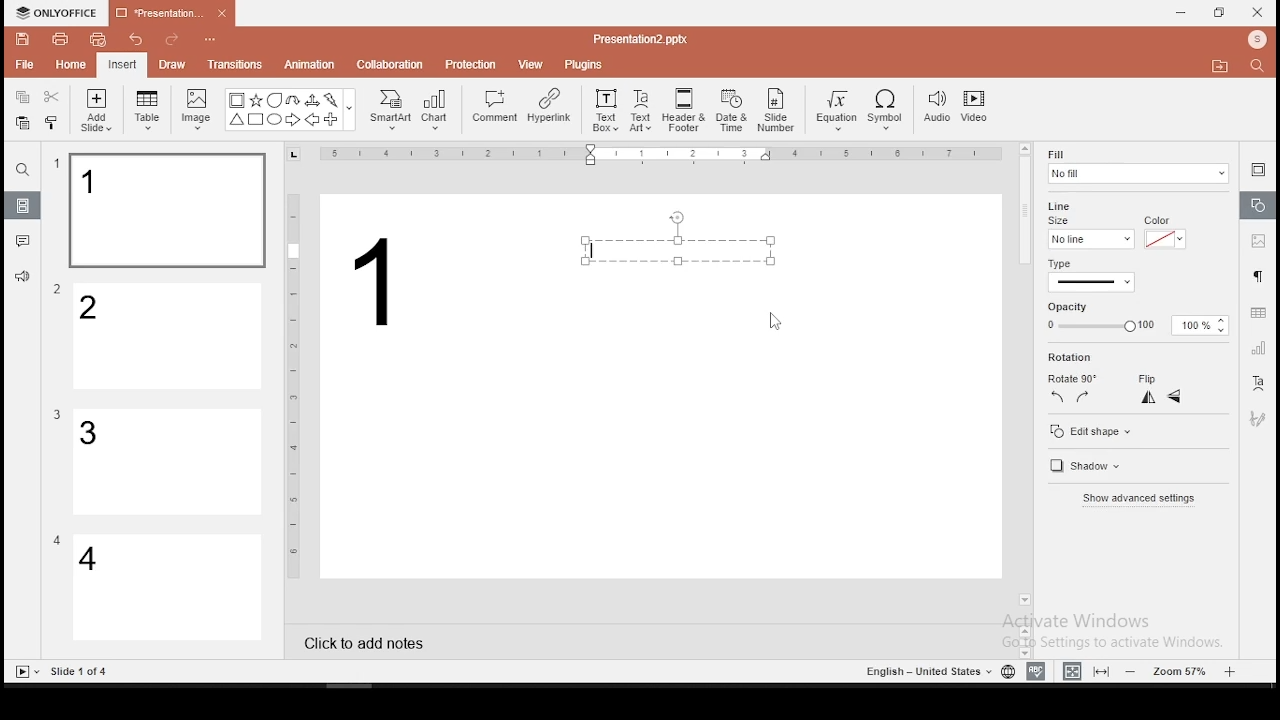 The width and height of the screenshot is (1280, 720). Describe the element at coordinates (665, 155) in the screenshot. I see `` at that location.